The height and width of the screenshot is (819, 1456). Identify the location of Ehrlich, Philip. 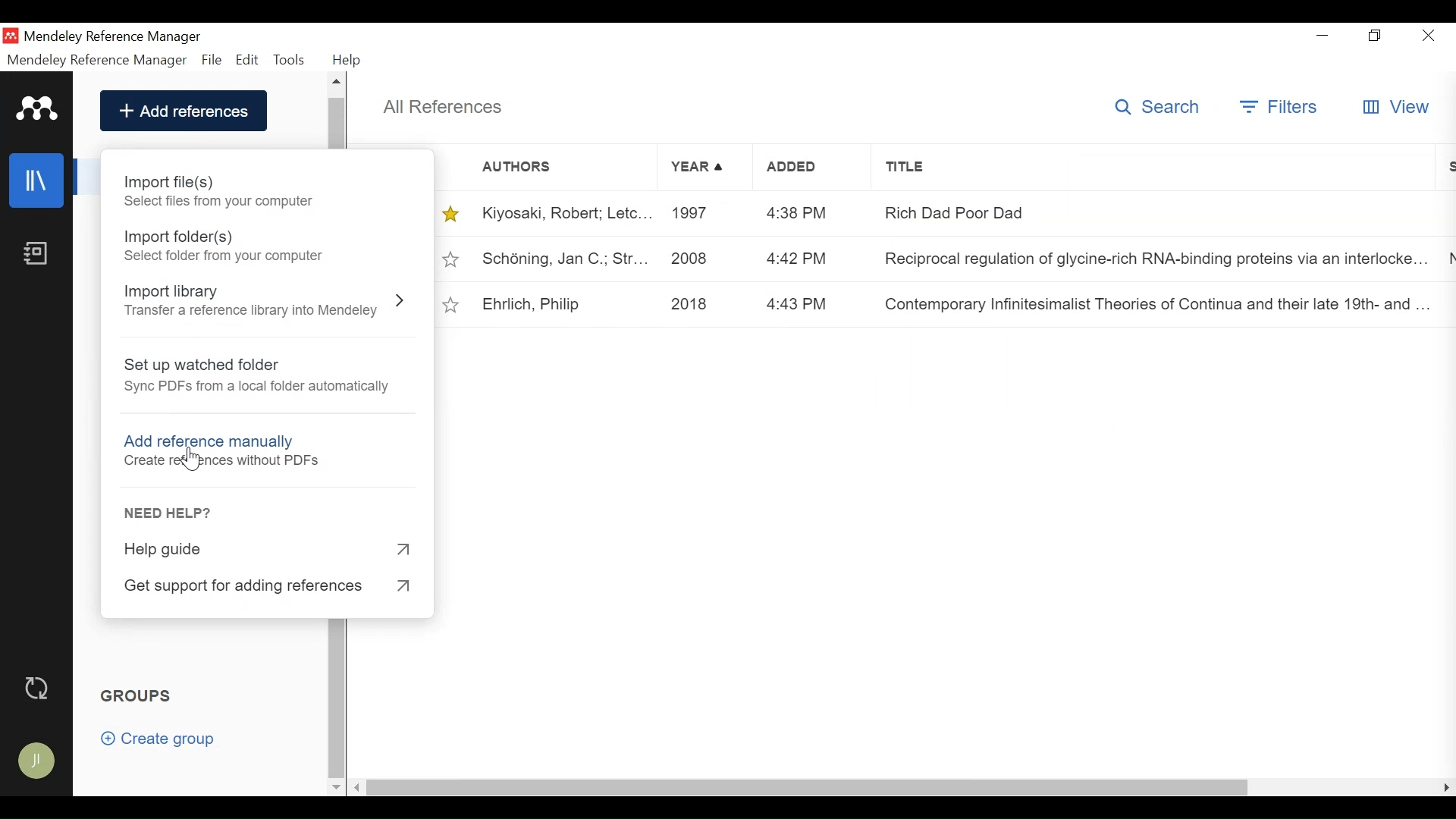
(567, 303).